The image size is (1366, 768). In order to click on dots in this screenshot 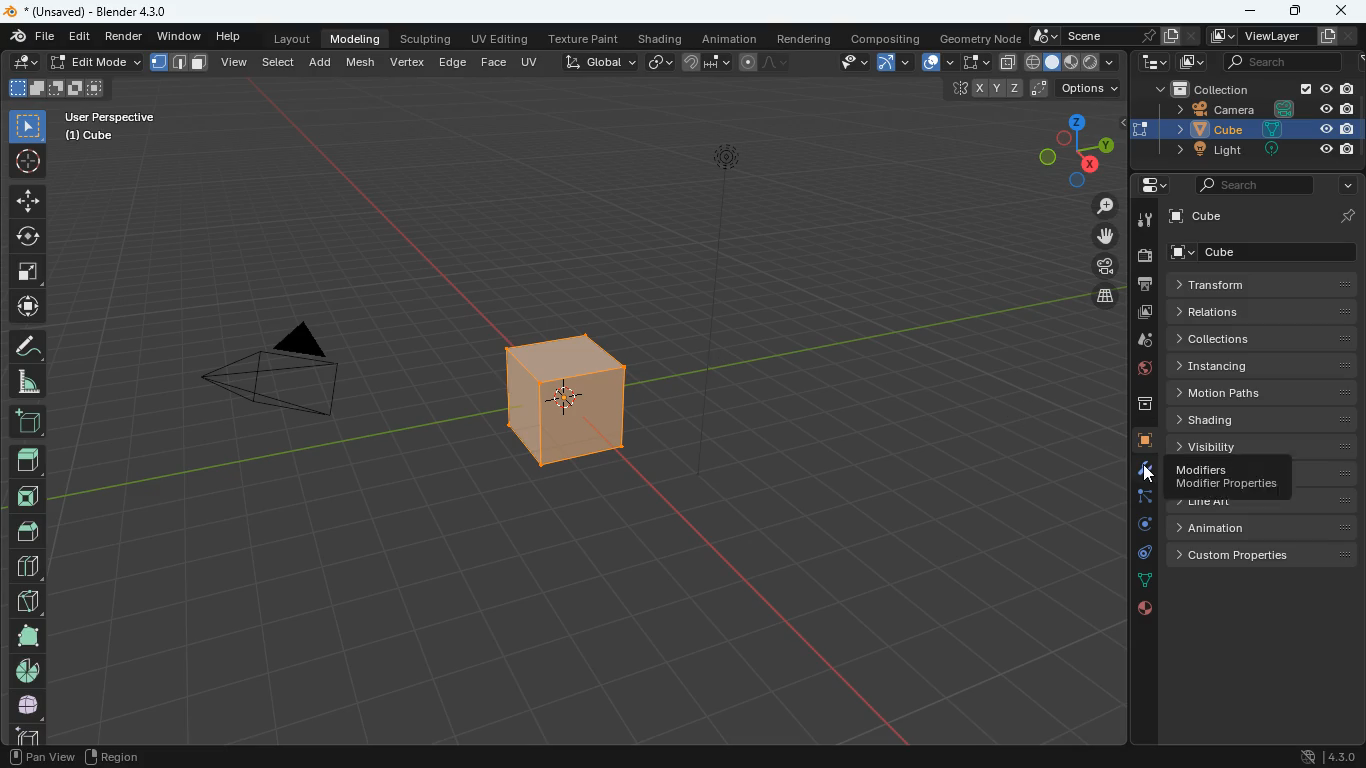, I will do `click(1140, 581)`.